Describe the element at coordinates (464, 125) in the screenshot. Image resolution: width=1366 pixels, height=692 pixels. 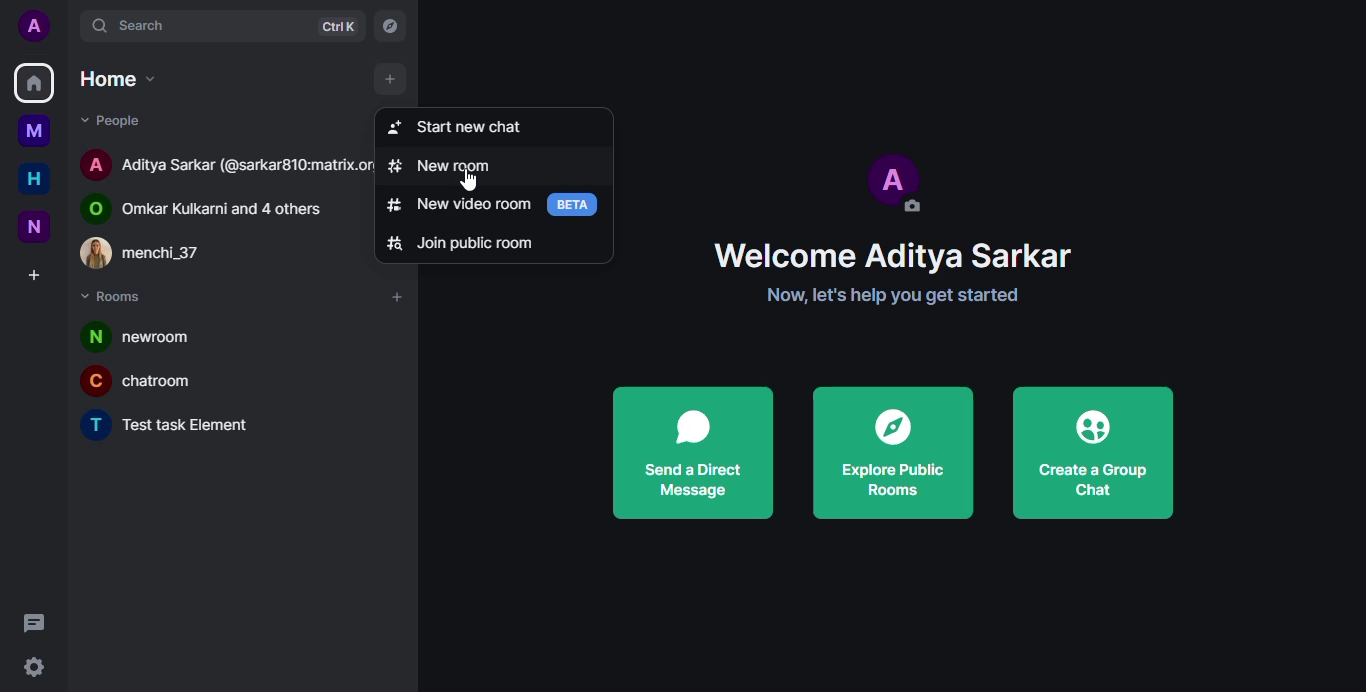
I see `start new chat` at that location.